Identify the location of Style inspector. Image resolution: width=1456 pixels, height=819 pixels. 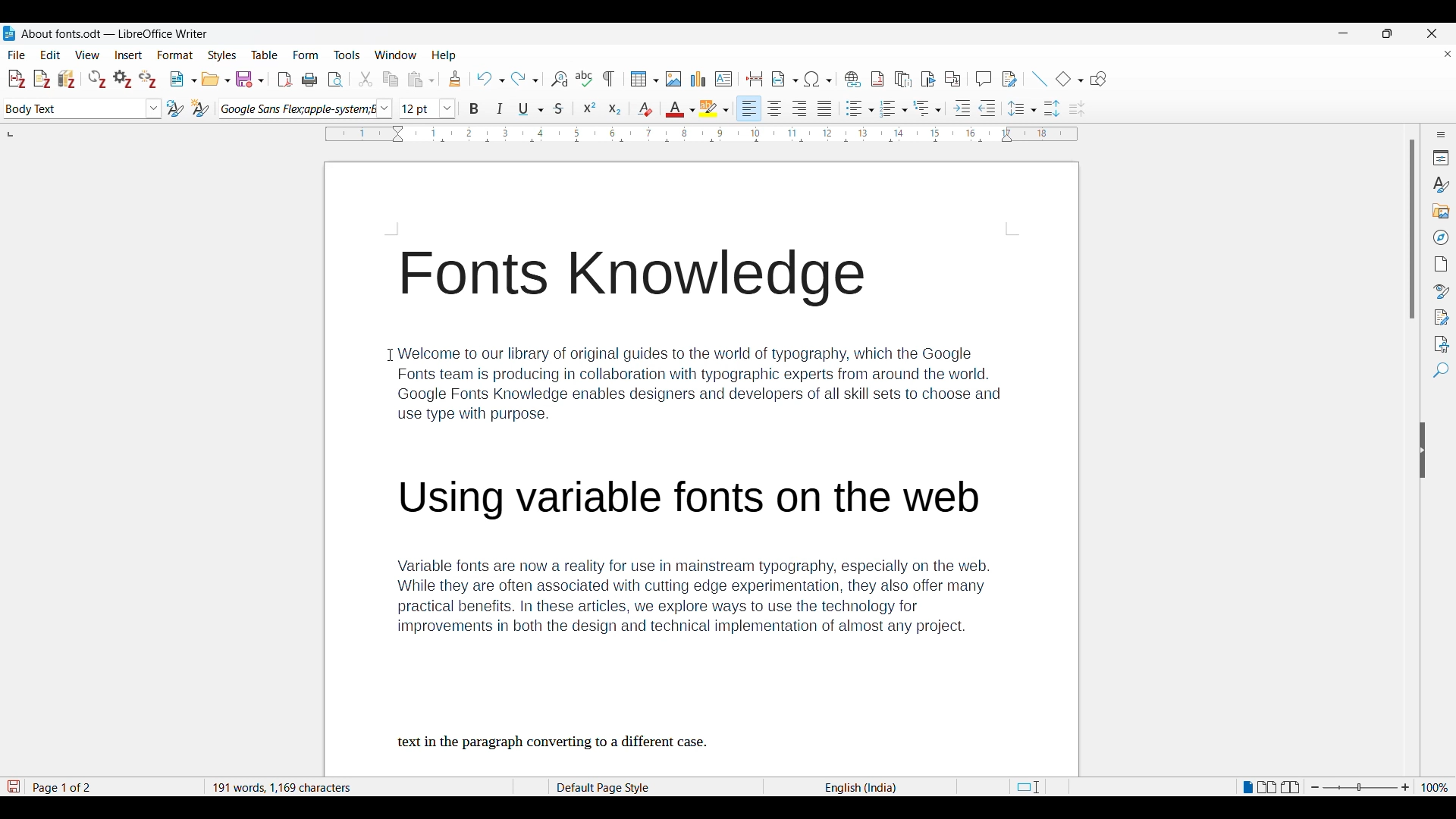
(1441, 291).